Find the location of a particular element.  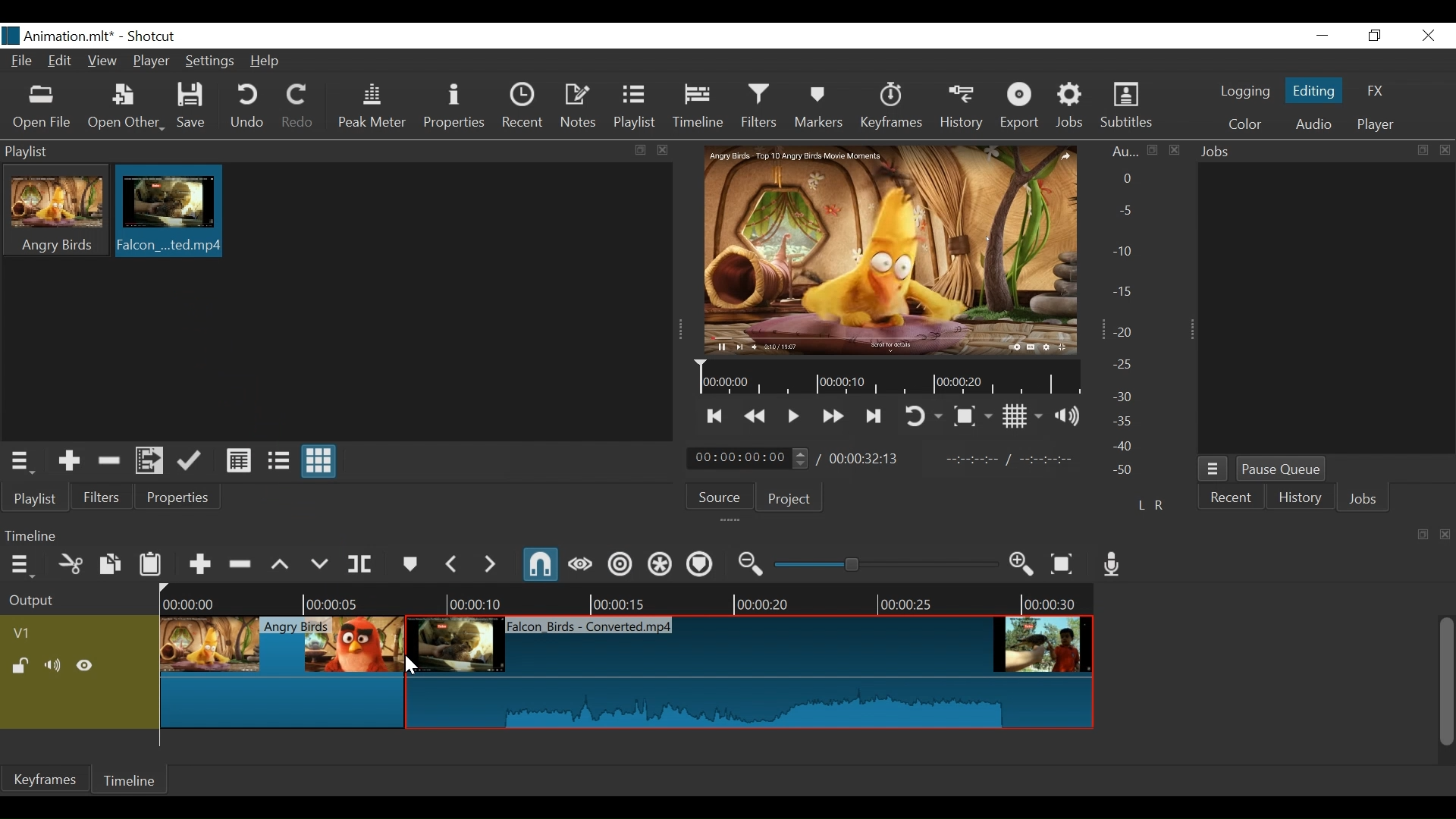

Update is located at coordinates (192, 461).